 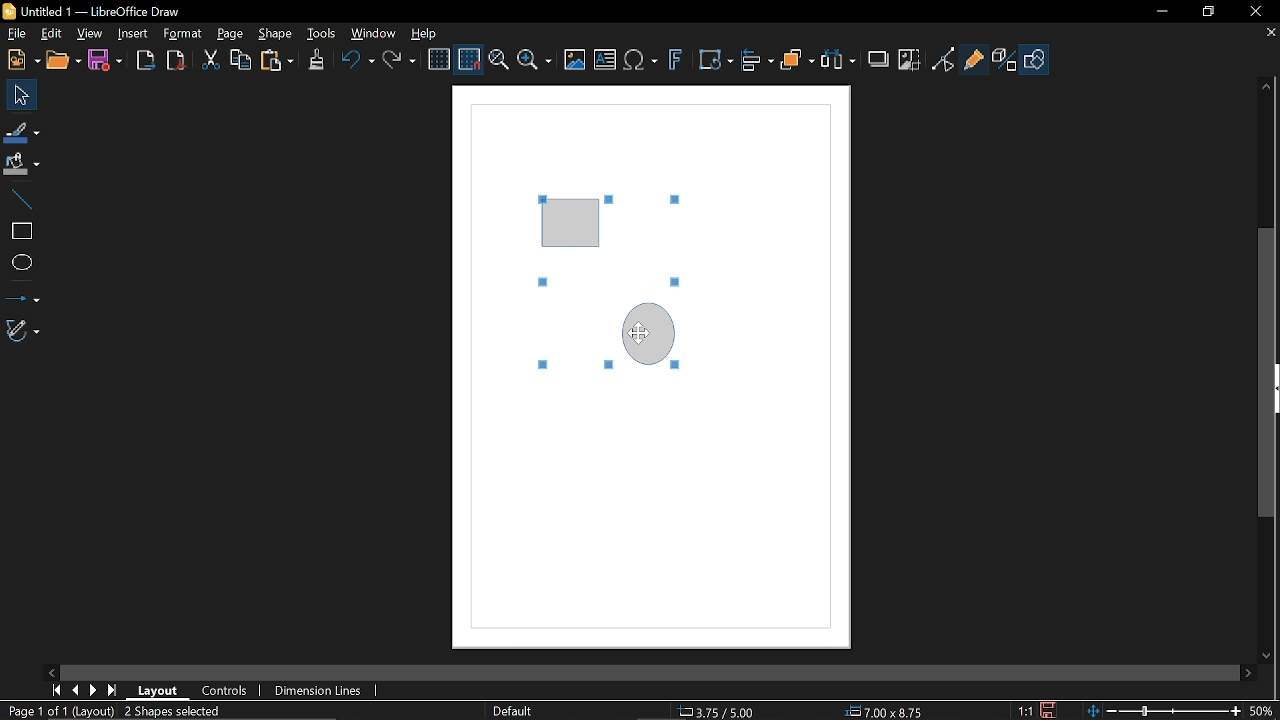 I want to click on Zoom and pan, so click(x=498, y=60).